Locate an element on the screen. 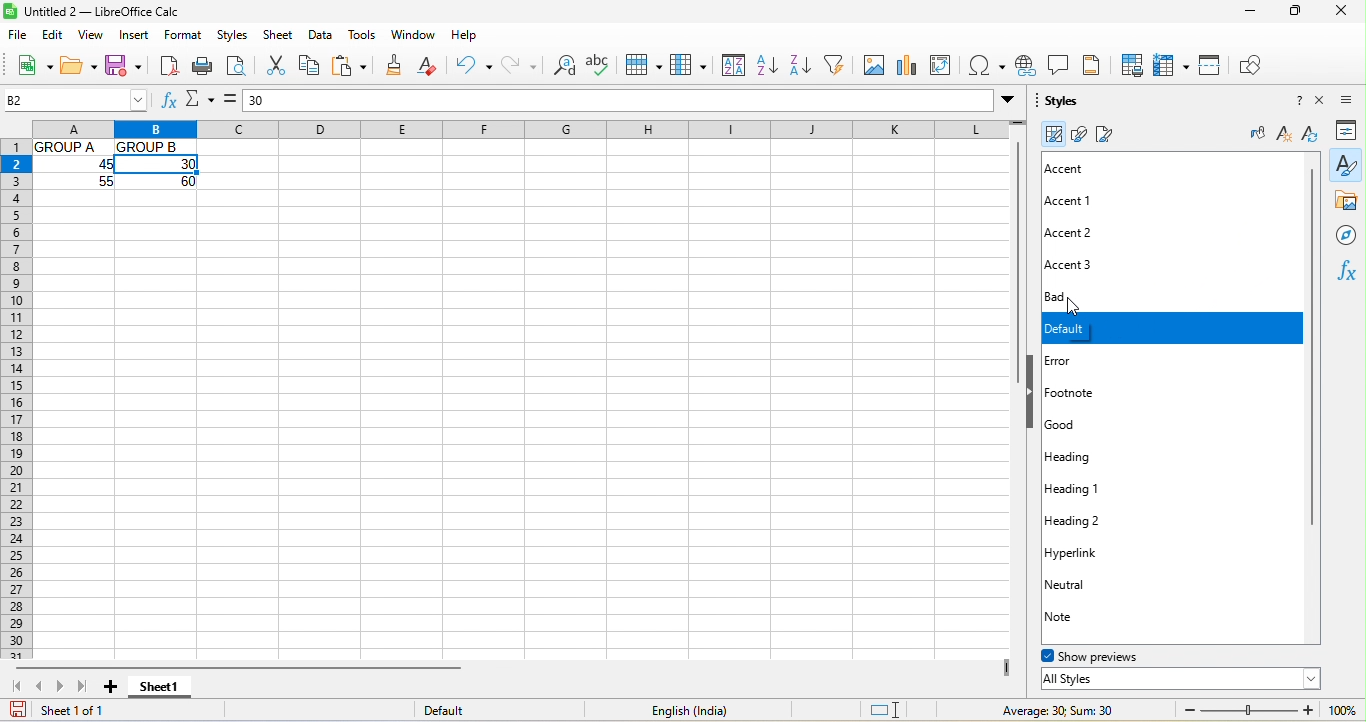 The height and width of the screenshot is (722, 1366). 55 is located at coordinates (99, 185).